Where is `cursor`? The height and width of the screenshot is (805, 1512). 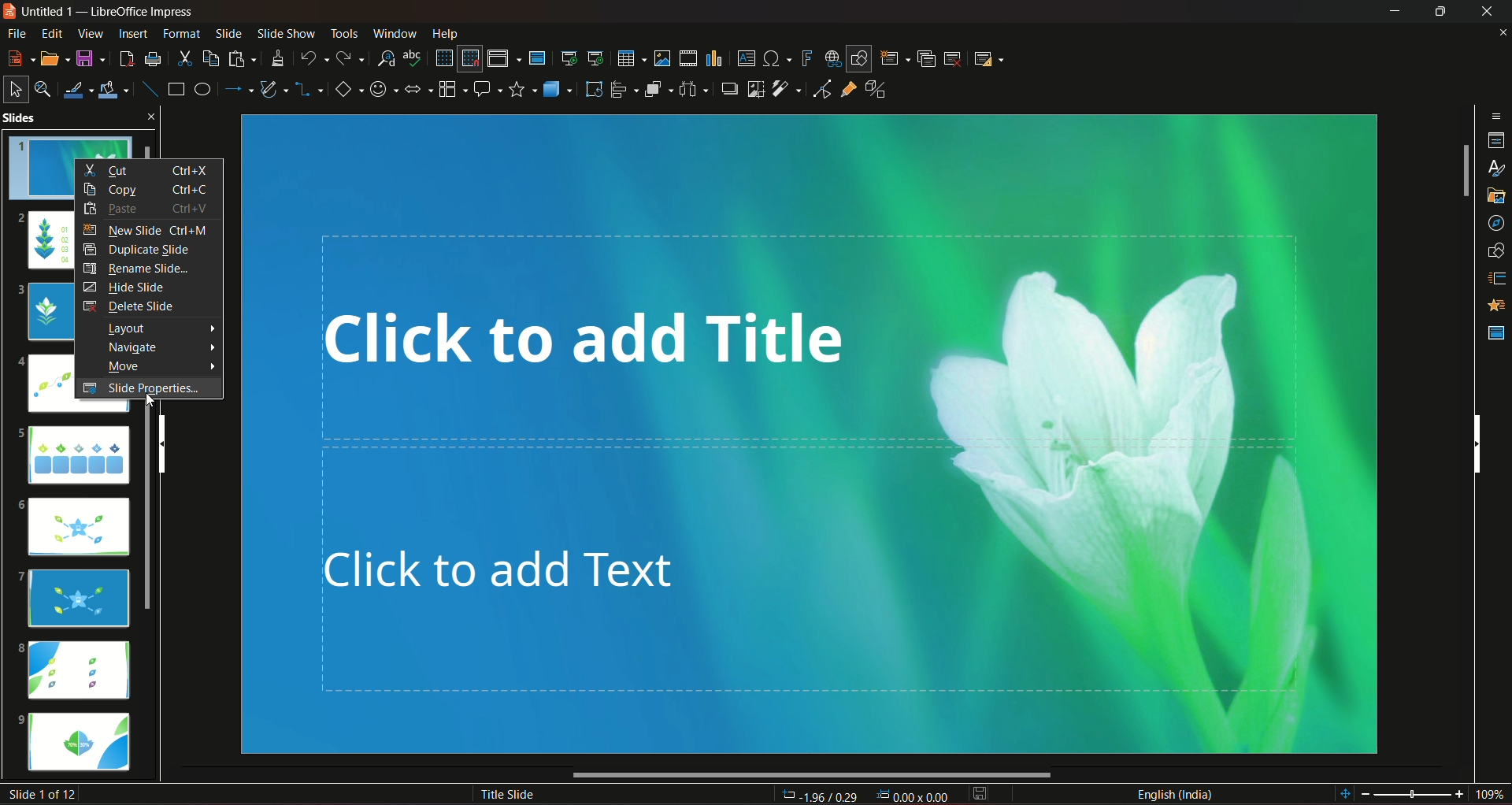
cursor is located at coordinates (149, 402).